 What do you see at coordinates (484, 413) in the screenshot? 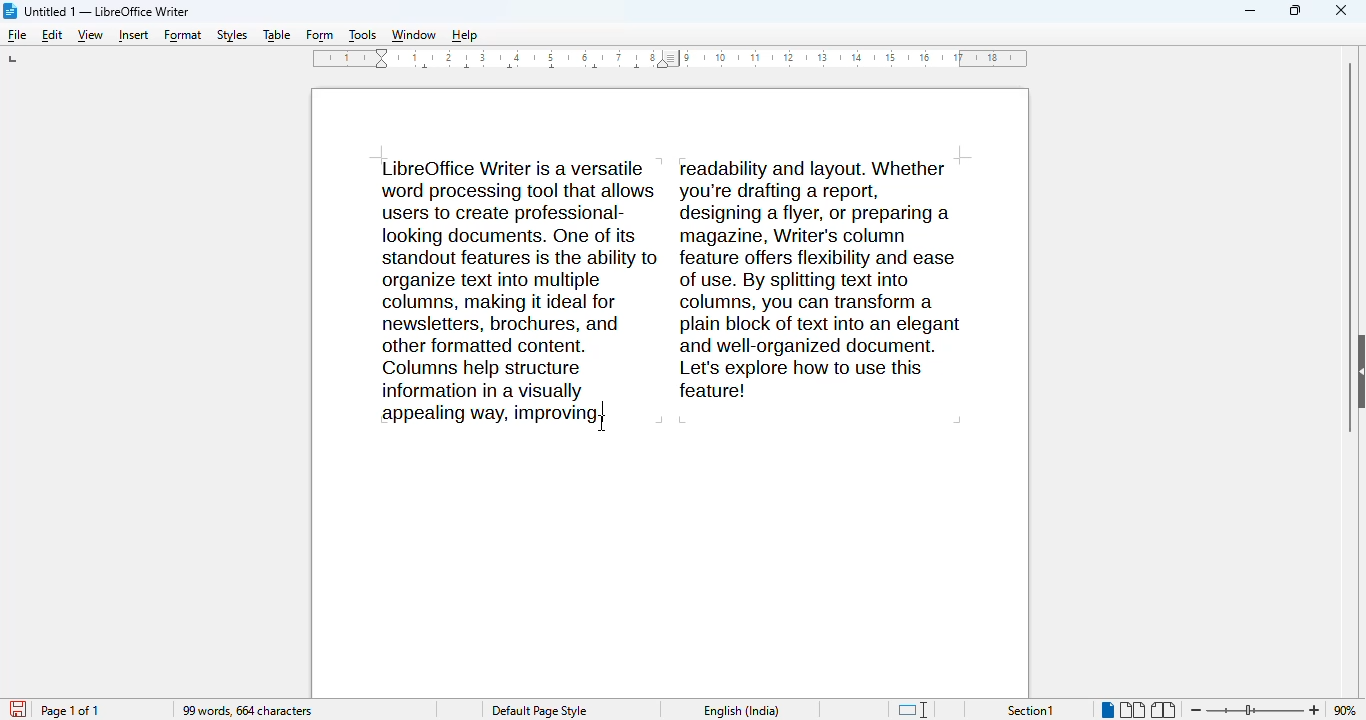
I see `demo text` at bounding box center [484, 413].